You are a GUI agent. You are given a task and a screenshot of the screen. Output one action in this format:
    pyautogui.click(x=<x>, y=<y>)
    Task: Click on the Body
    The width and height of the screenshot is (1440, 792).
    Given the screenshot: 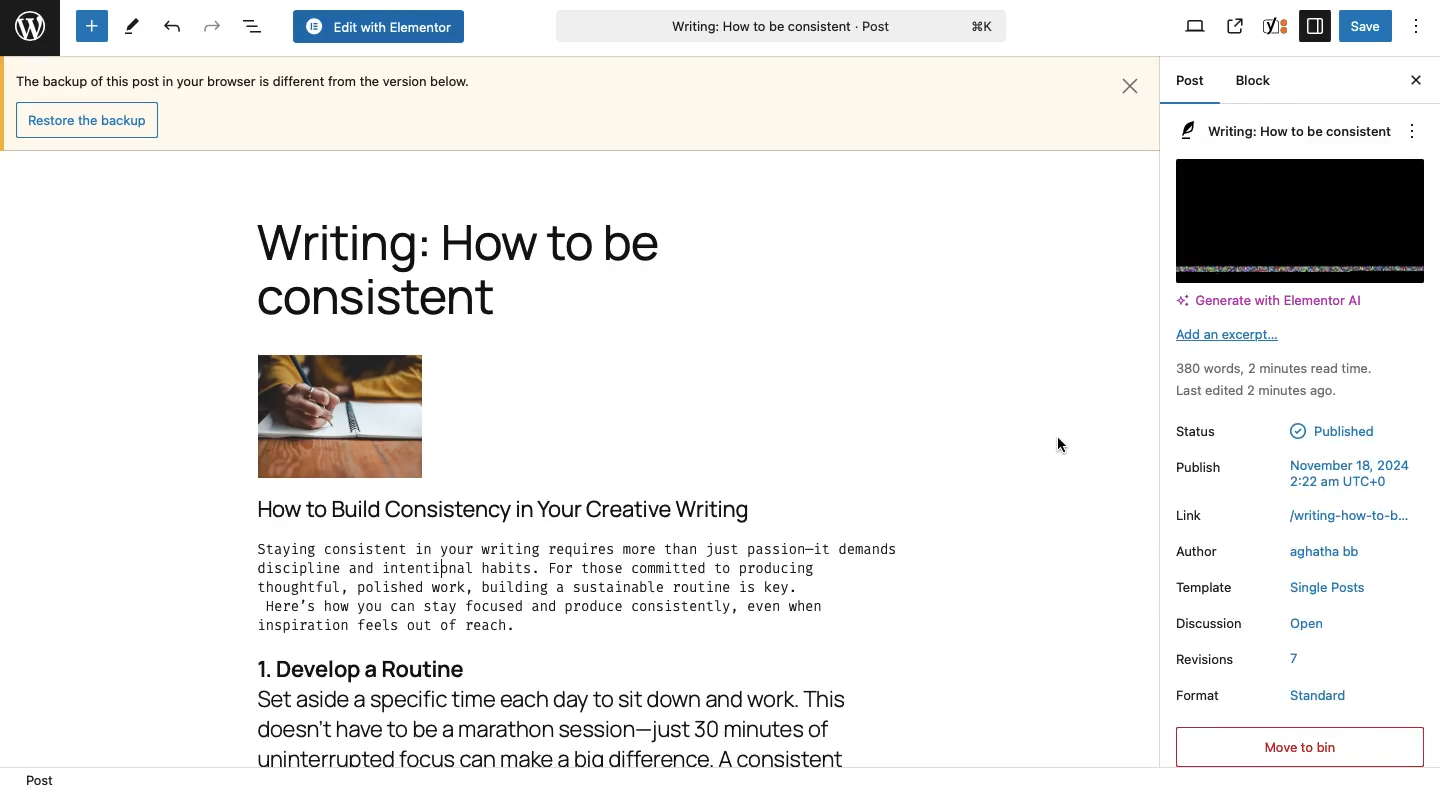 What is the action you would take?
    pyautogui.click(x=600, y=711)
    